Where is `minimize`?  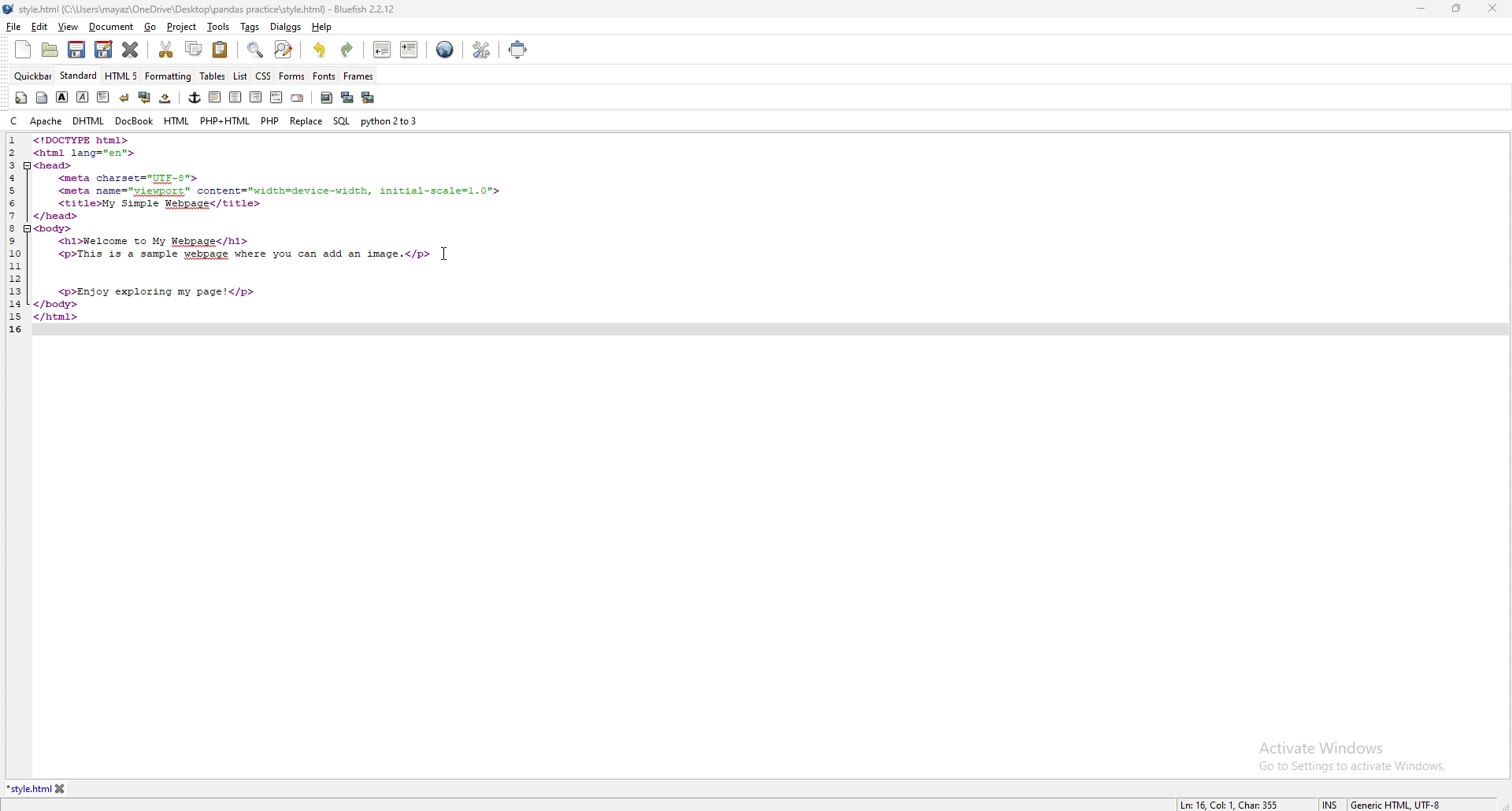 minimize is located at coordinates (1421, 9).